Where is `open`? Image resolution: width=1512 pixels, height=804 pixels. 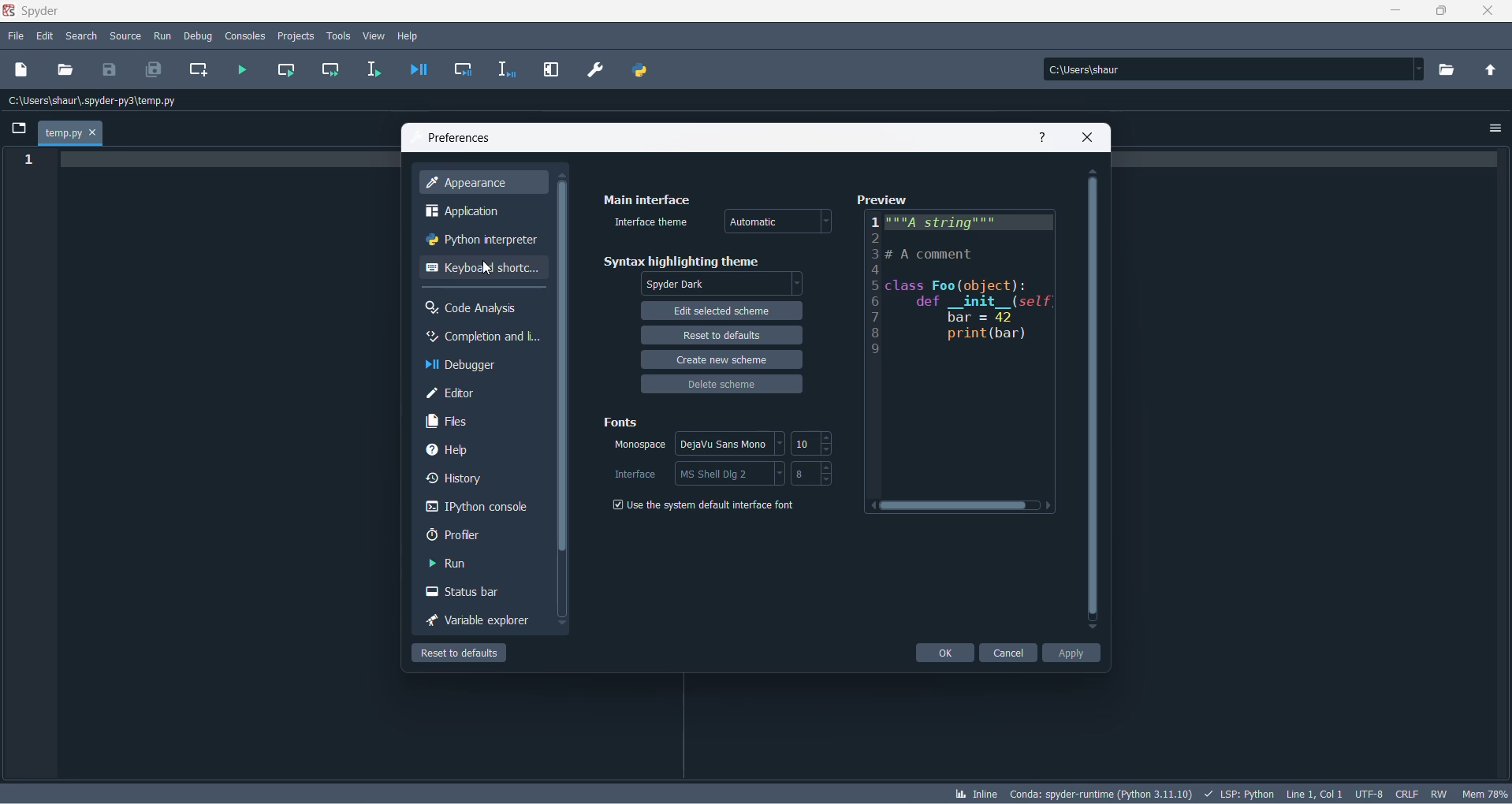
open is located at coordinates (65, 69).